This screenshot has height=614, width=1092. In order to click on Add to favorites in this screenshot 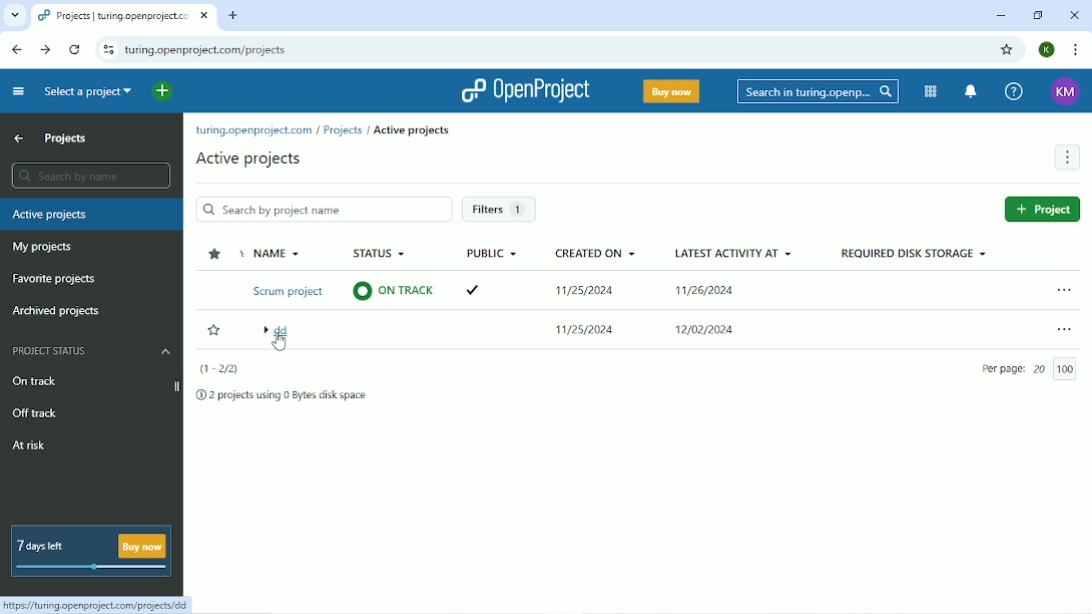, I will do `click(214, 331)`.